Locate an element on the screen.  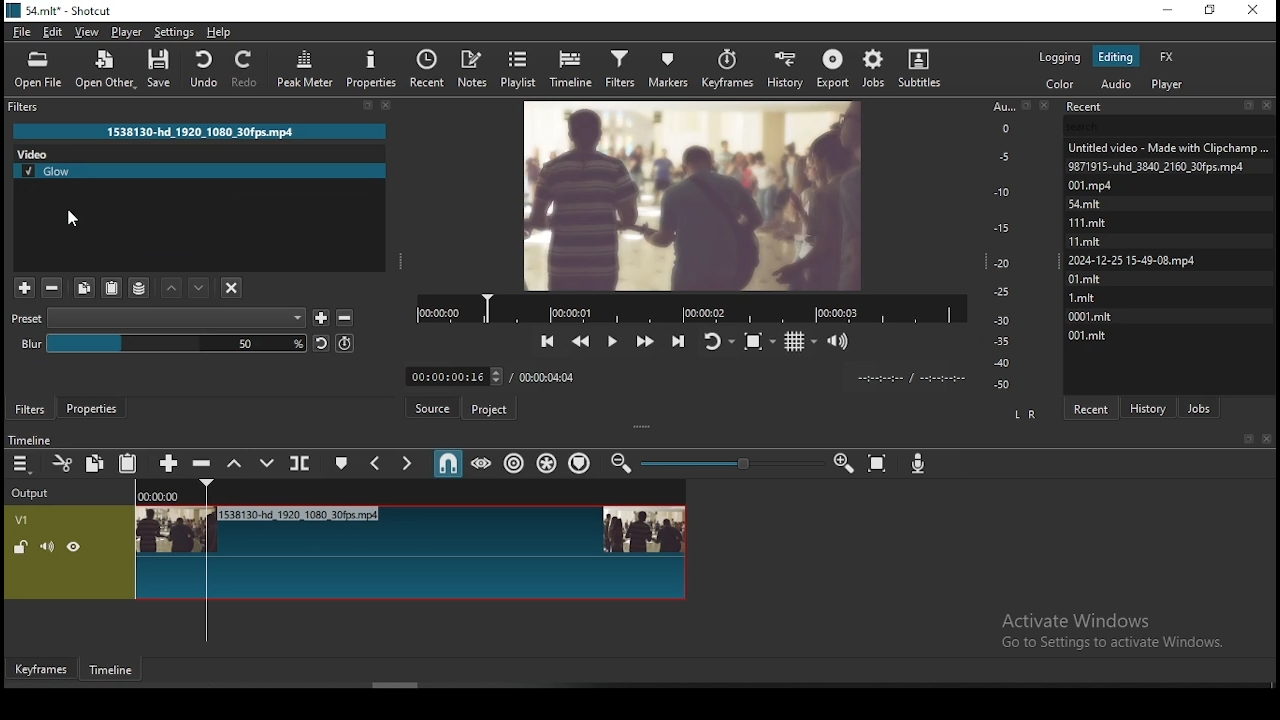
playlist is located at coordinates (523, 67).